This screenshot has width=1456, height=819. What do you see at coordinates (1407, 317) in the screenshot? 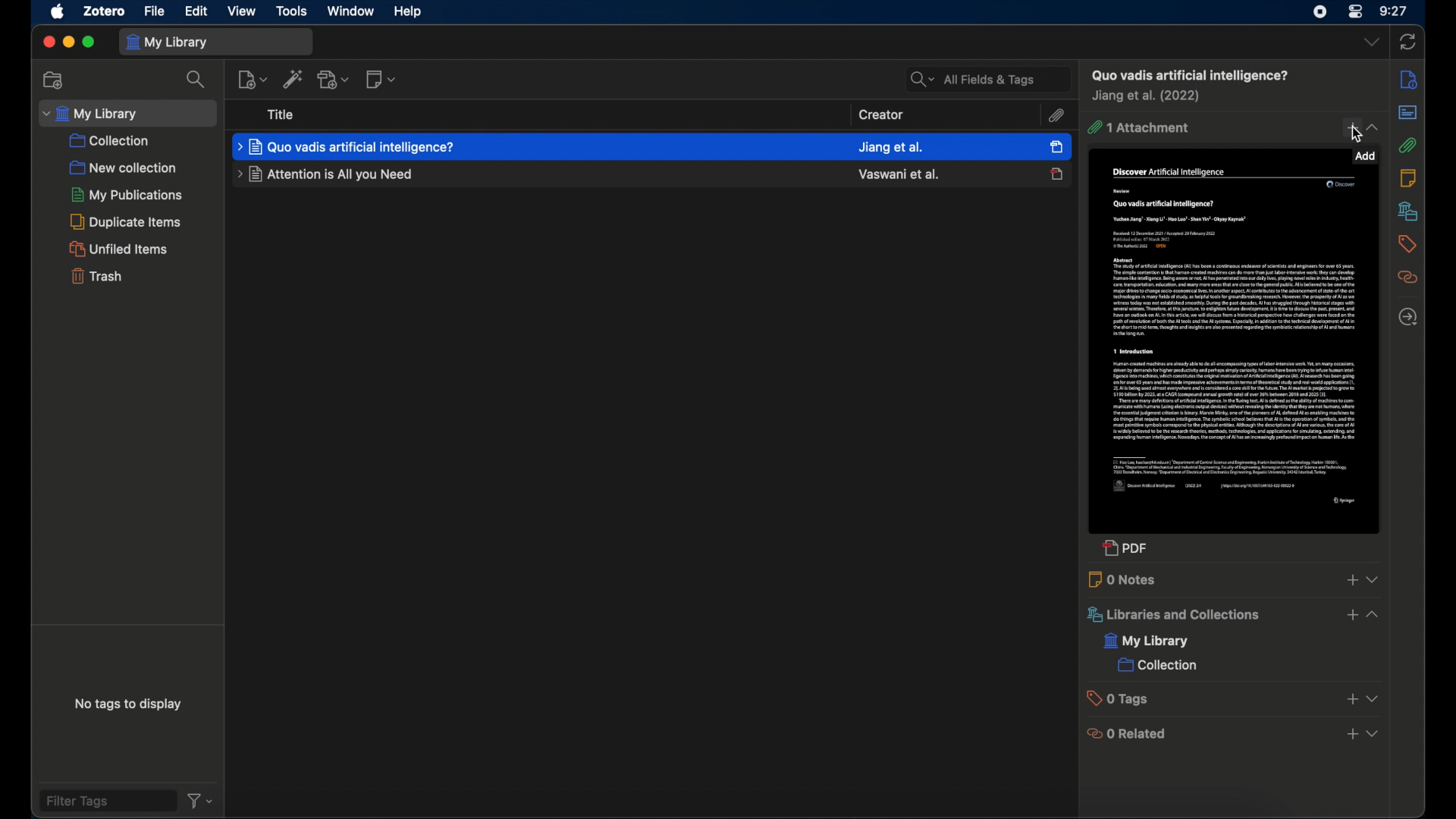
I see `located` at bounding box center [1407, 317].